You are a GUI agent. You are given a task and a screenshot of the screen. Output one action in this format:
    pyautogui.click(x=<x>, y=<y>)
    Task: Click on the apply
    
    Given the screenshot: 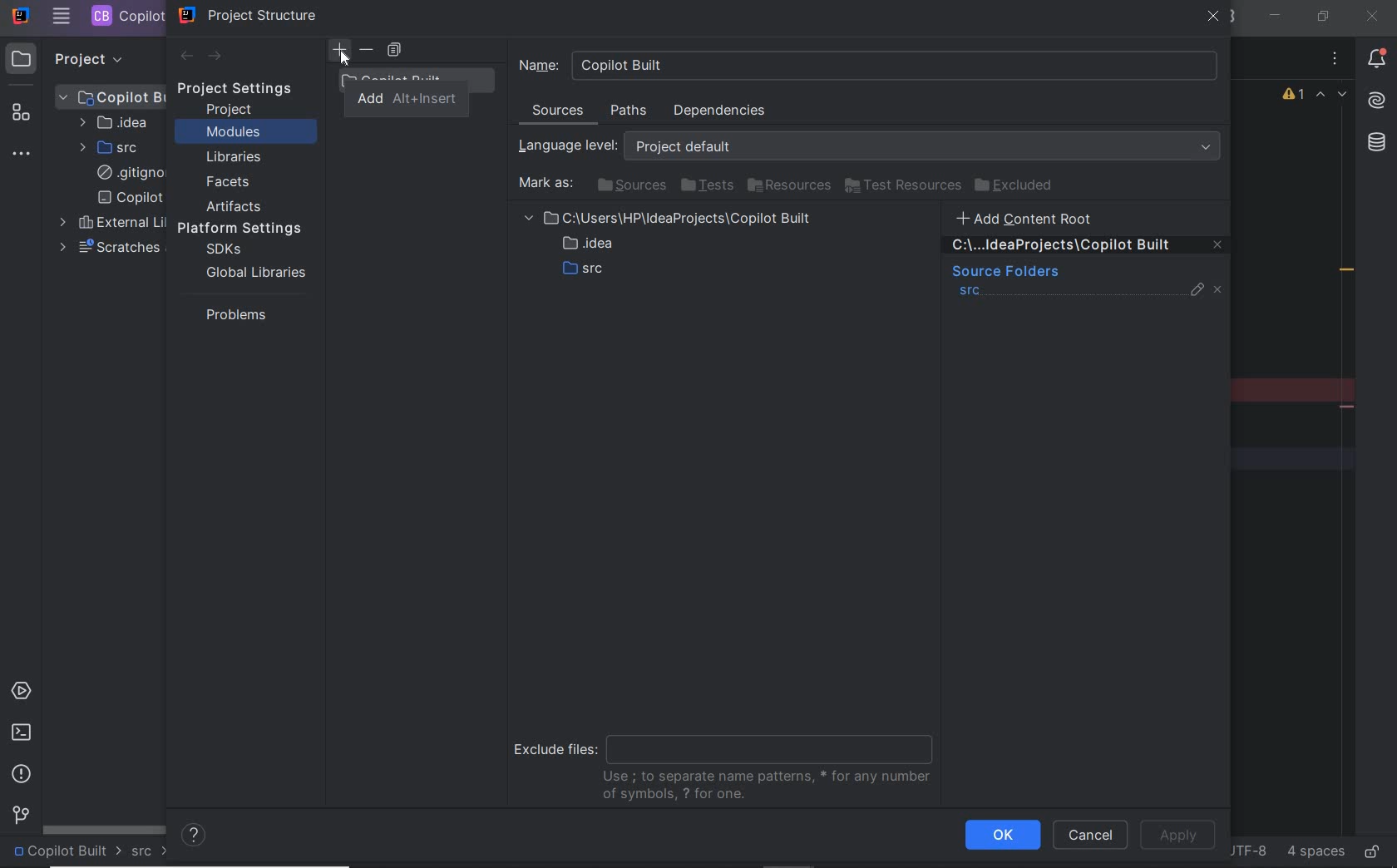 What is the action you would take?
    pyautogui.click(x=1182, y=834)
    